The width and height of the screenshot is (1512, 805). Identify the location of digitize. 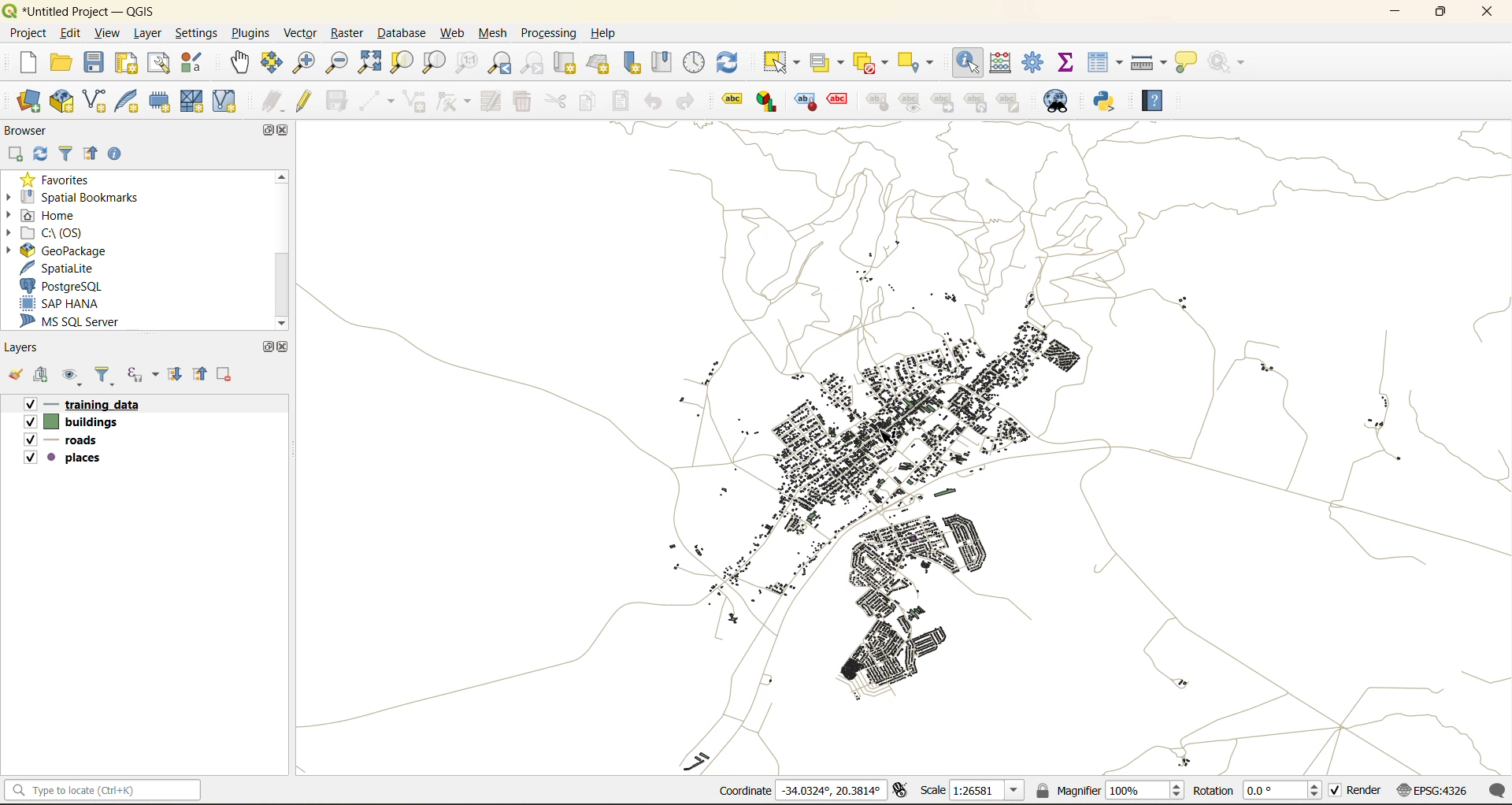
(378, 102).